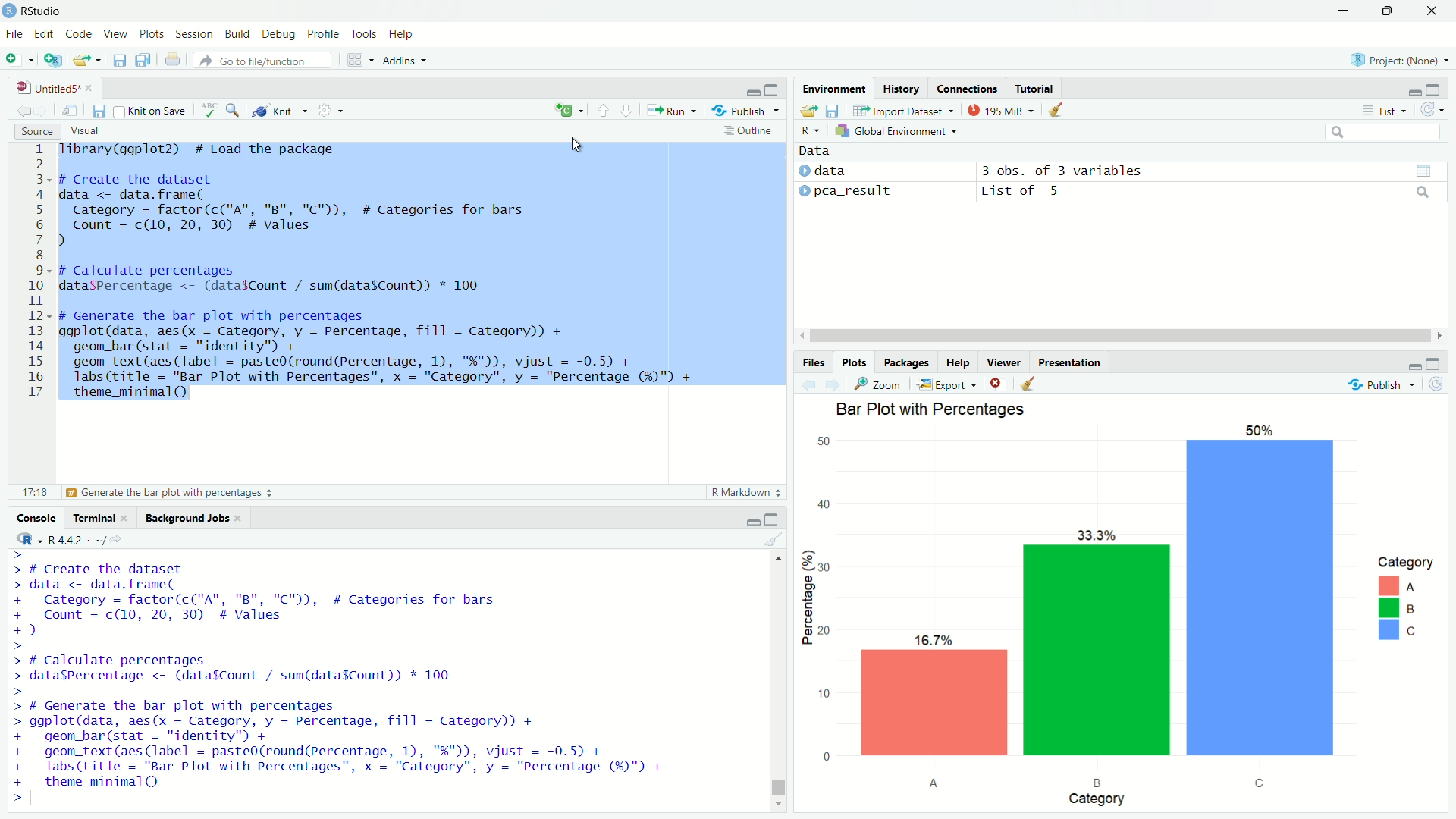  I want to click on load workspace, so click(808, 111).